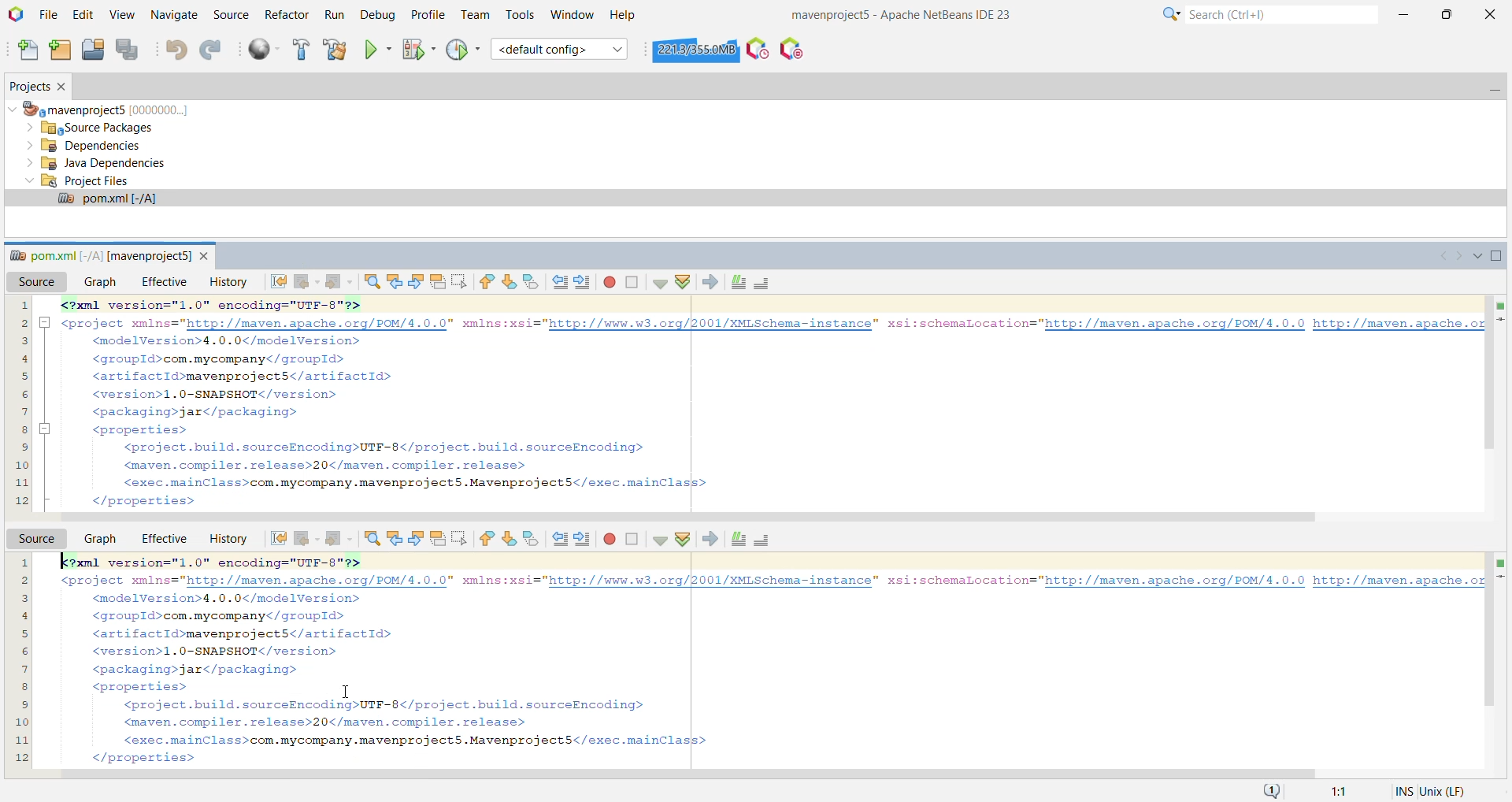  What do you see at coordinates (572, 14) in the screenshot?
I see `Window` at bounding box center [572, 14].